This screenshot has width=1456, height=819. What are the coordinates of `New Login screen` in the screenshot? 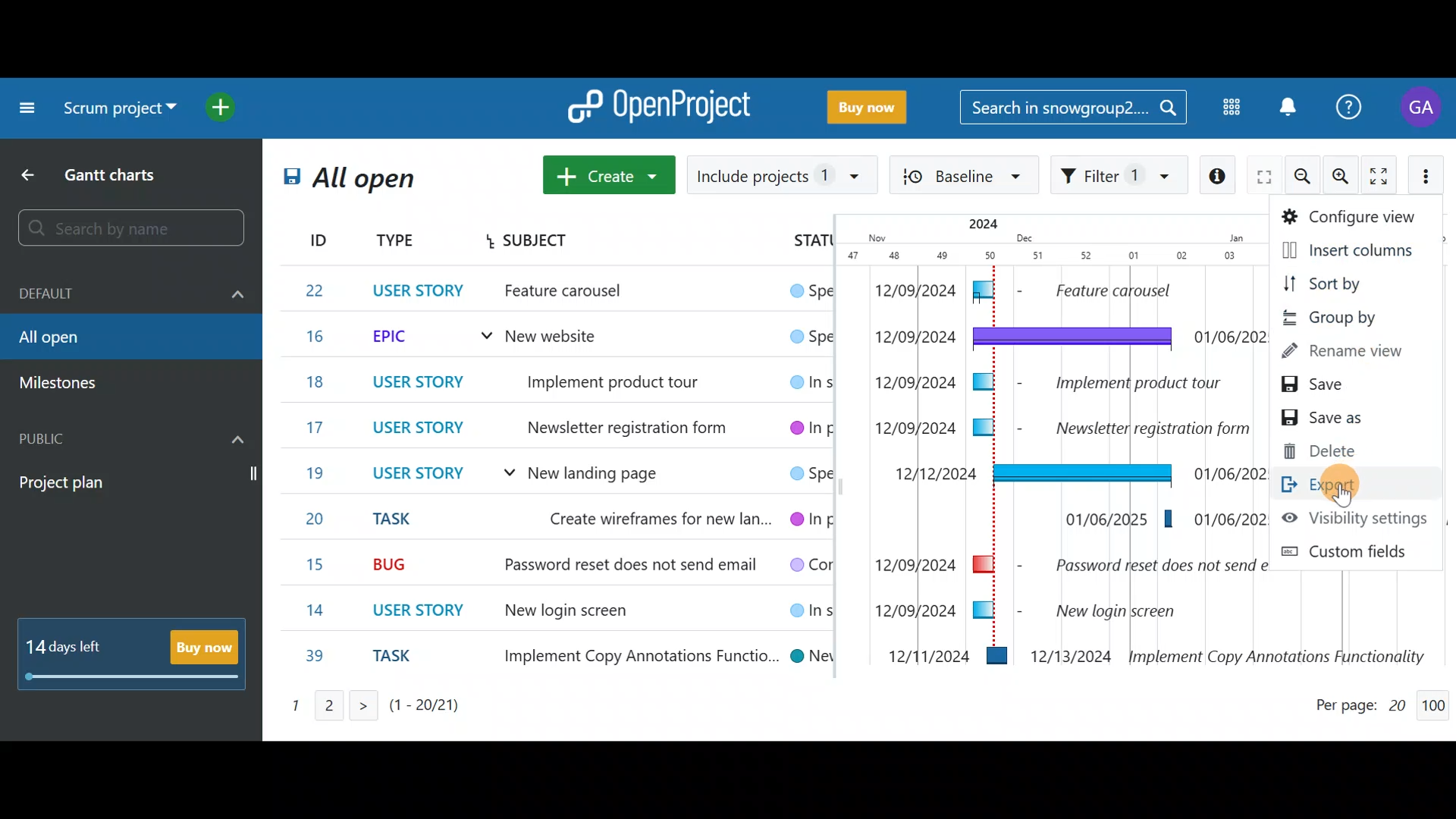 It's located at (566, 612).